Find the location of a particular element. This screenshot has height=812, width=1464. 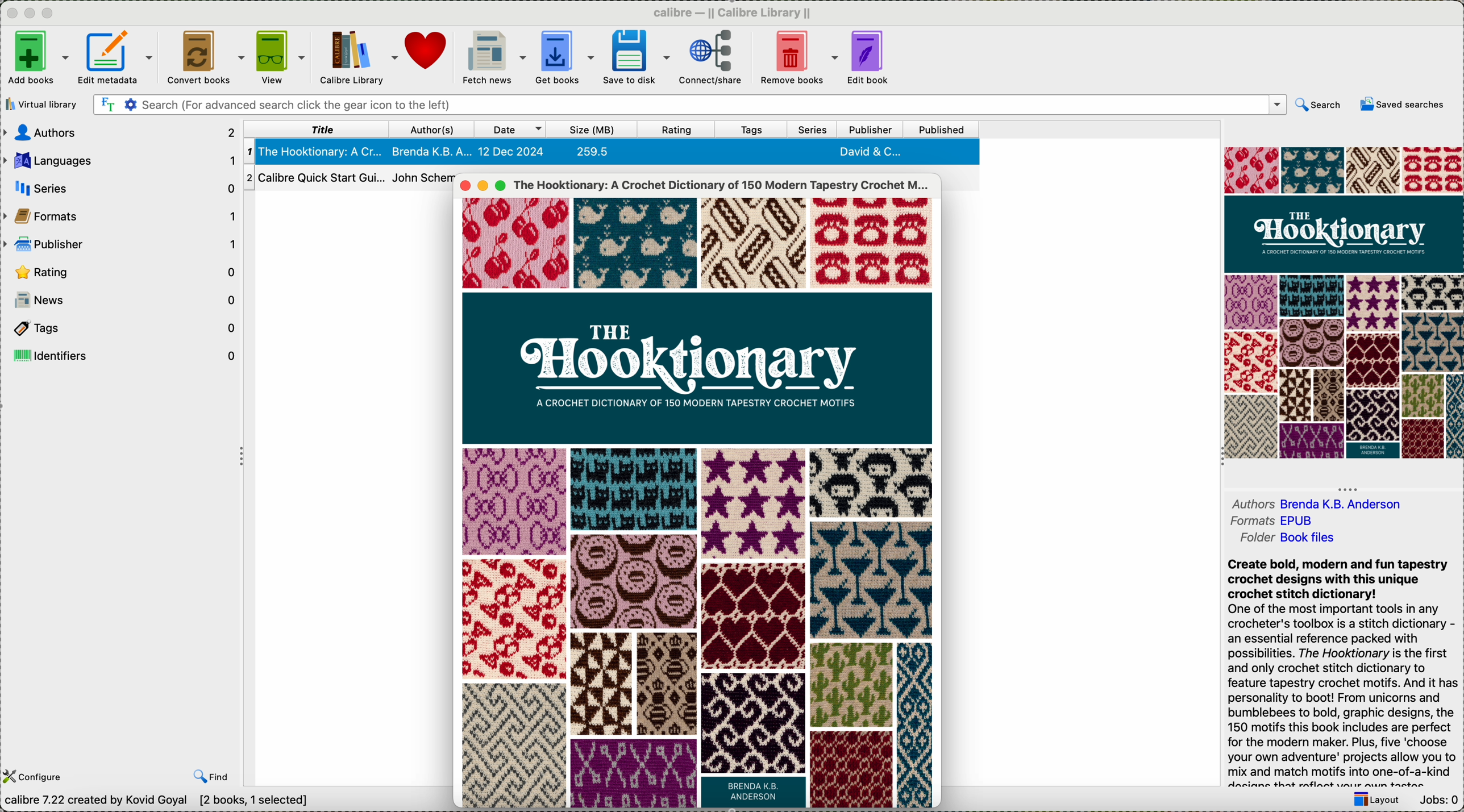

fetch news is located at coordinates (493, 56).